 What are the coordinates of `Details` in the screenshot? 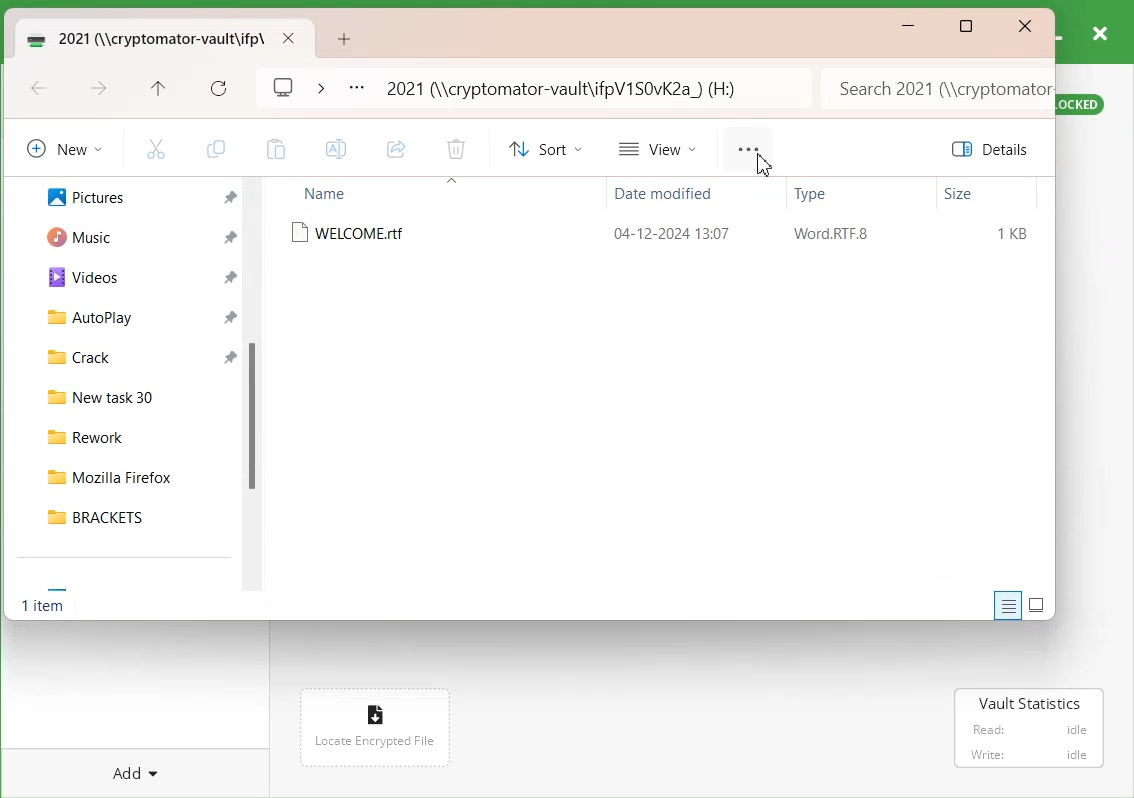 It's located at (994, 149).